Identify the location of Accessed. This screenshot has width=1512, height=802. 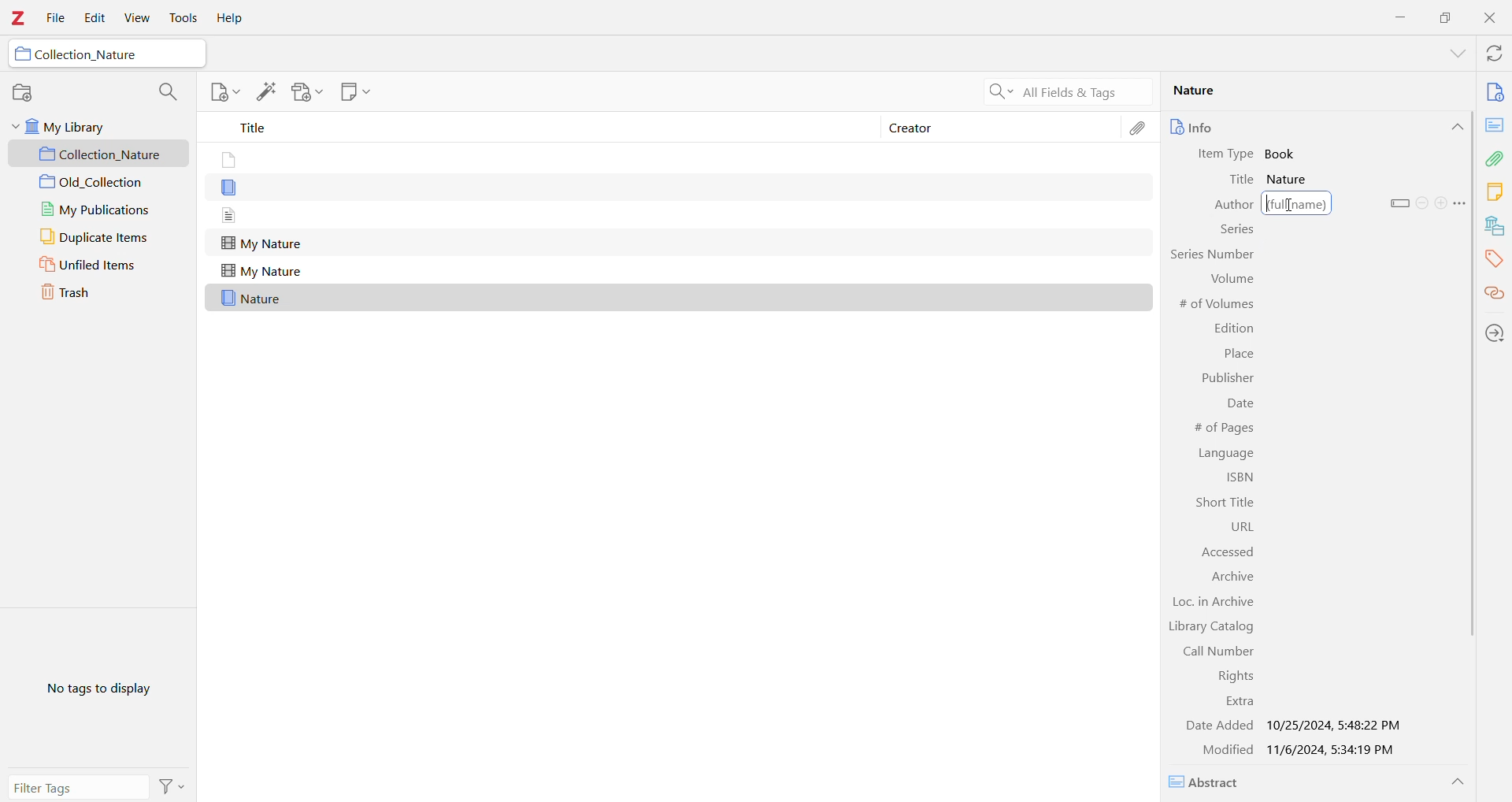
(1221, 551).